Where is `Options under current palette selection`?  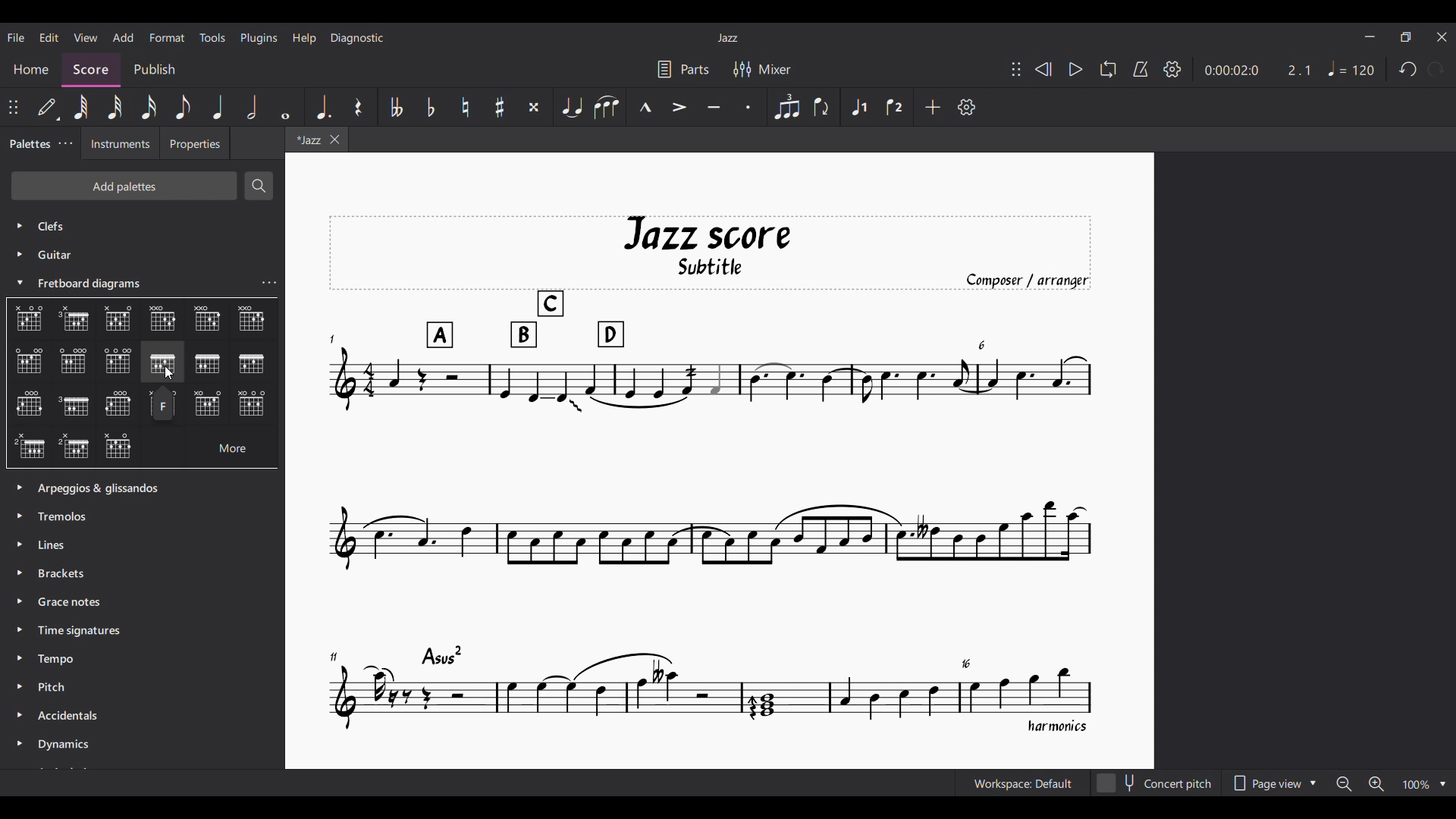
Options under current palette selection is located at coordinates (24, 314).